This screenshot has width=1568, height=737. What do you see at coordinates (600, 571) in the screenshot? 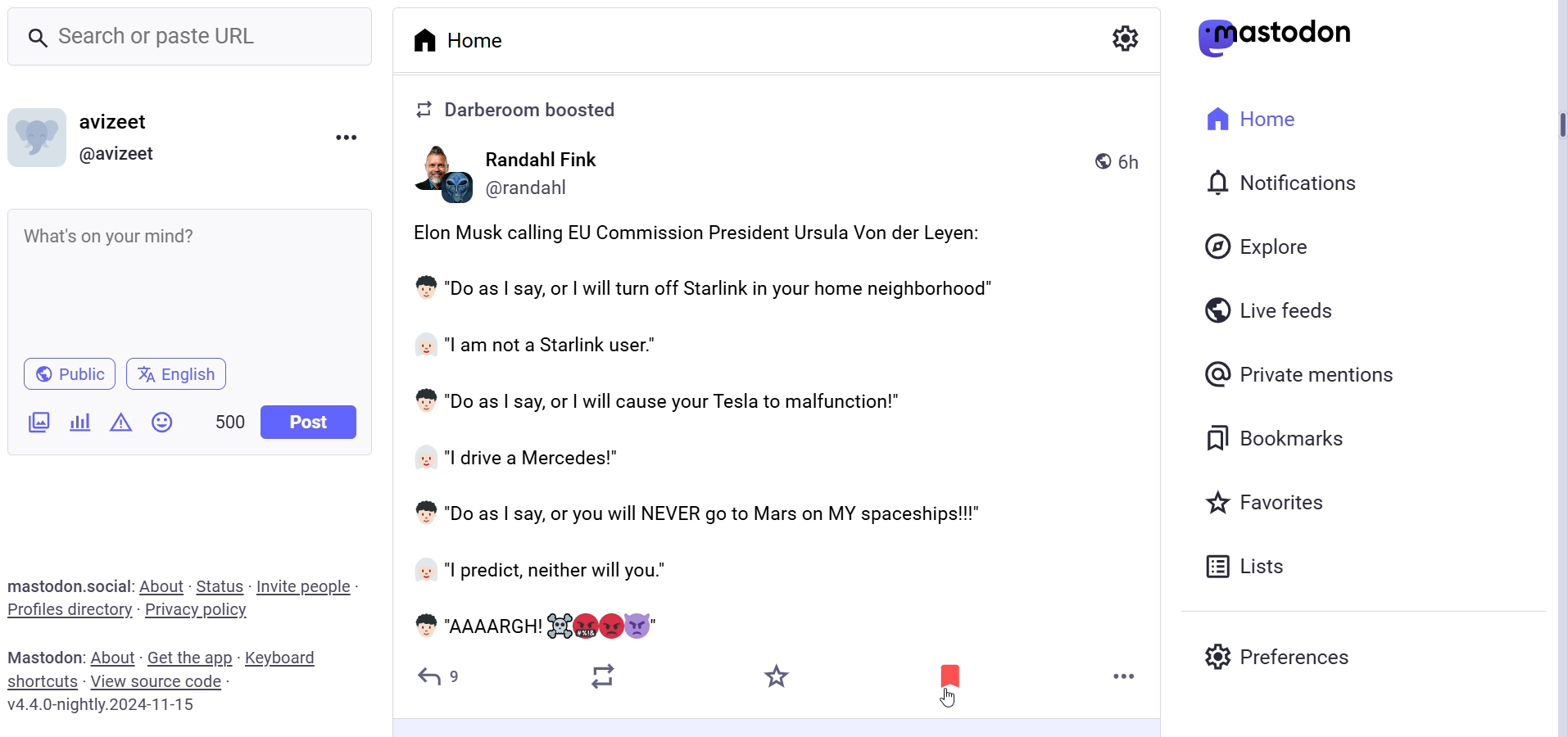
I see `"I predict, neither will you."` at bounding box center [600, 571].